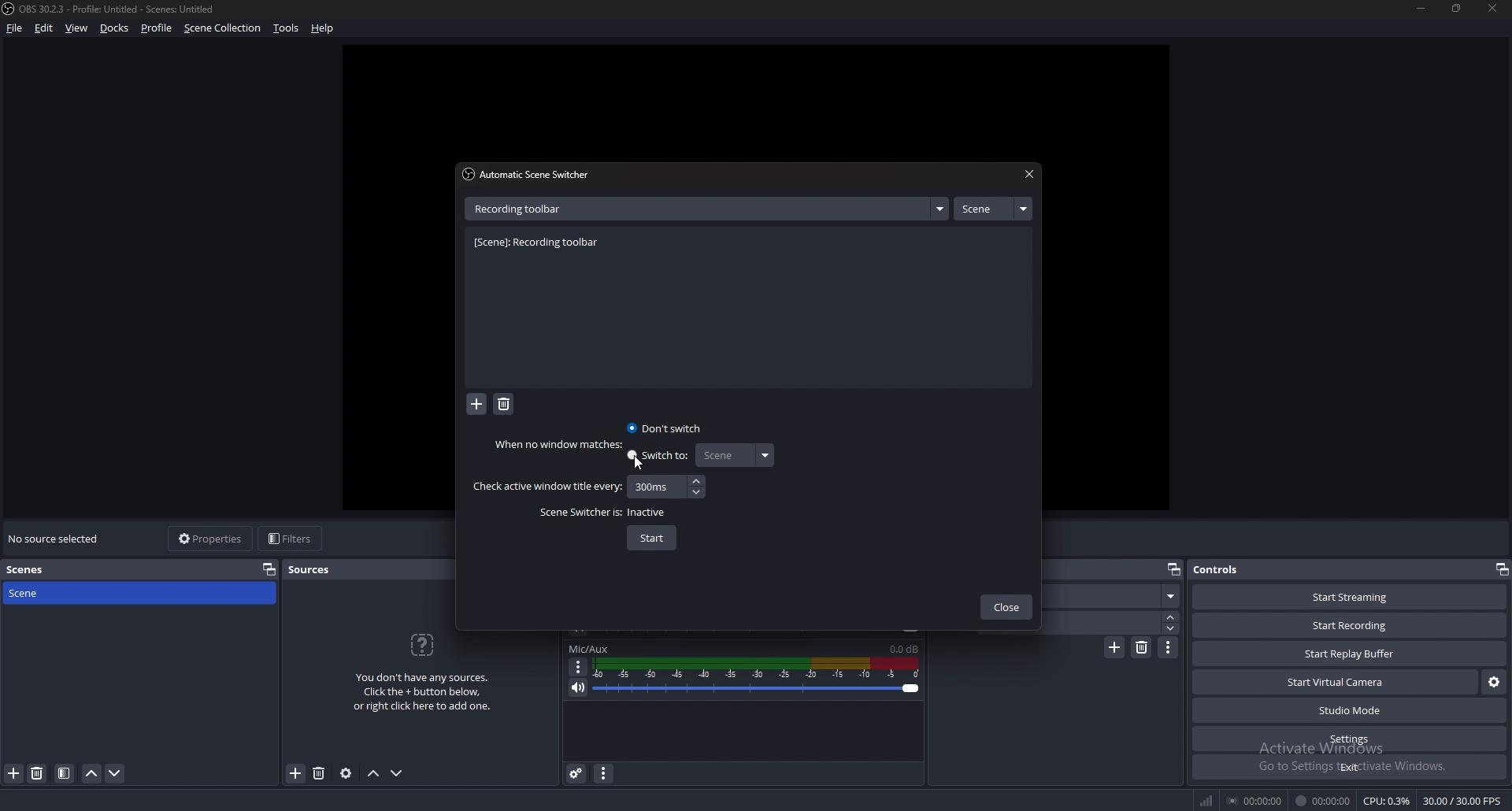 Image resolution: width=1512 pixels, height=811 pixels. I want to click on automatic scene switcher, so click(530, 174).